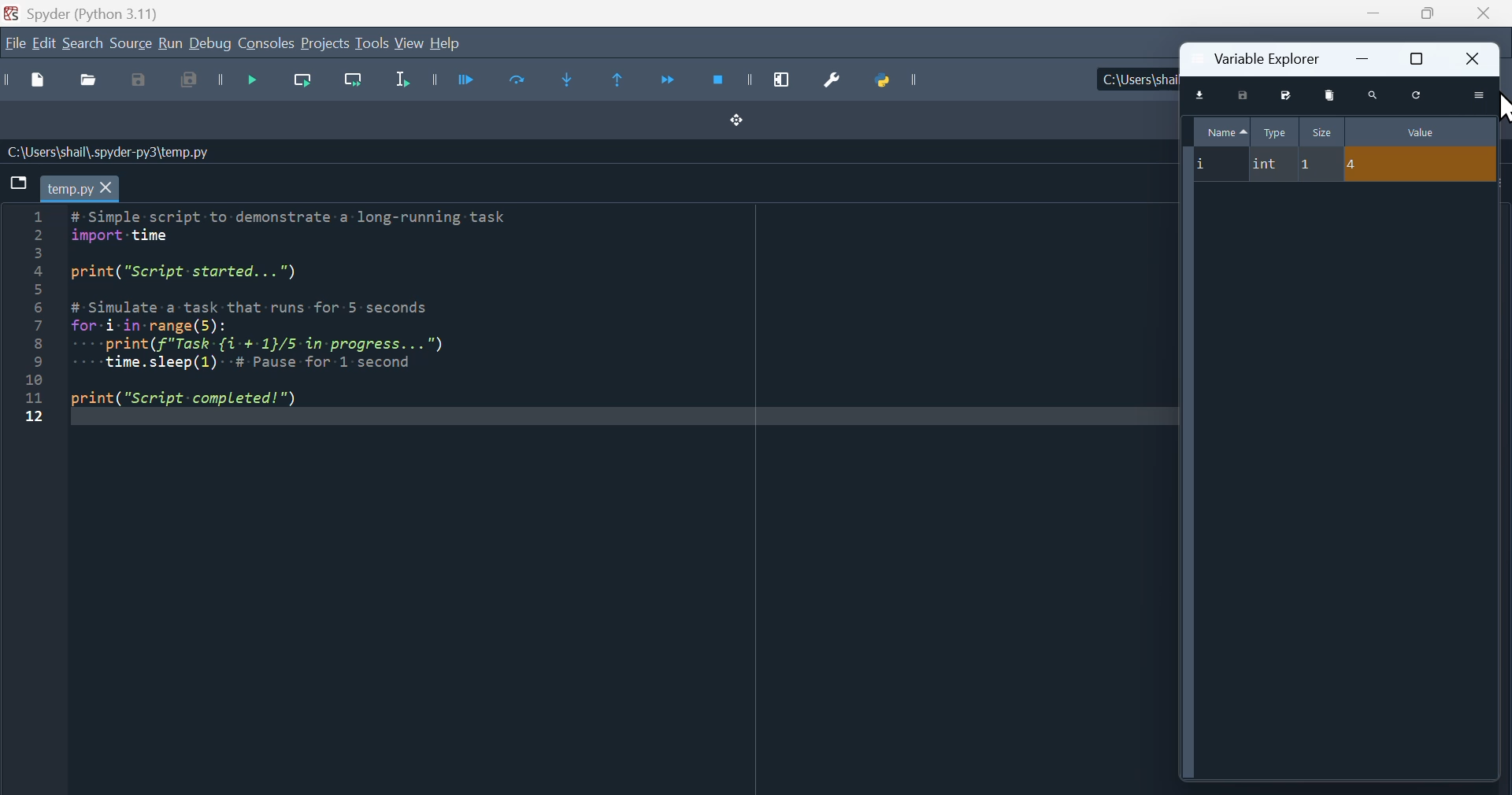  What do you see at coordinates (511, 83) in the screenshot?
I see `run current cell` at bounding box center [511, 83].